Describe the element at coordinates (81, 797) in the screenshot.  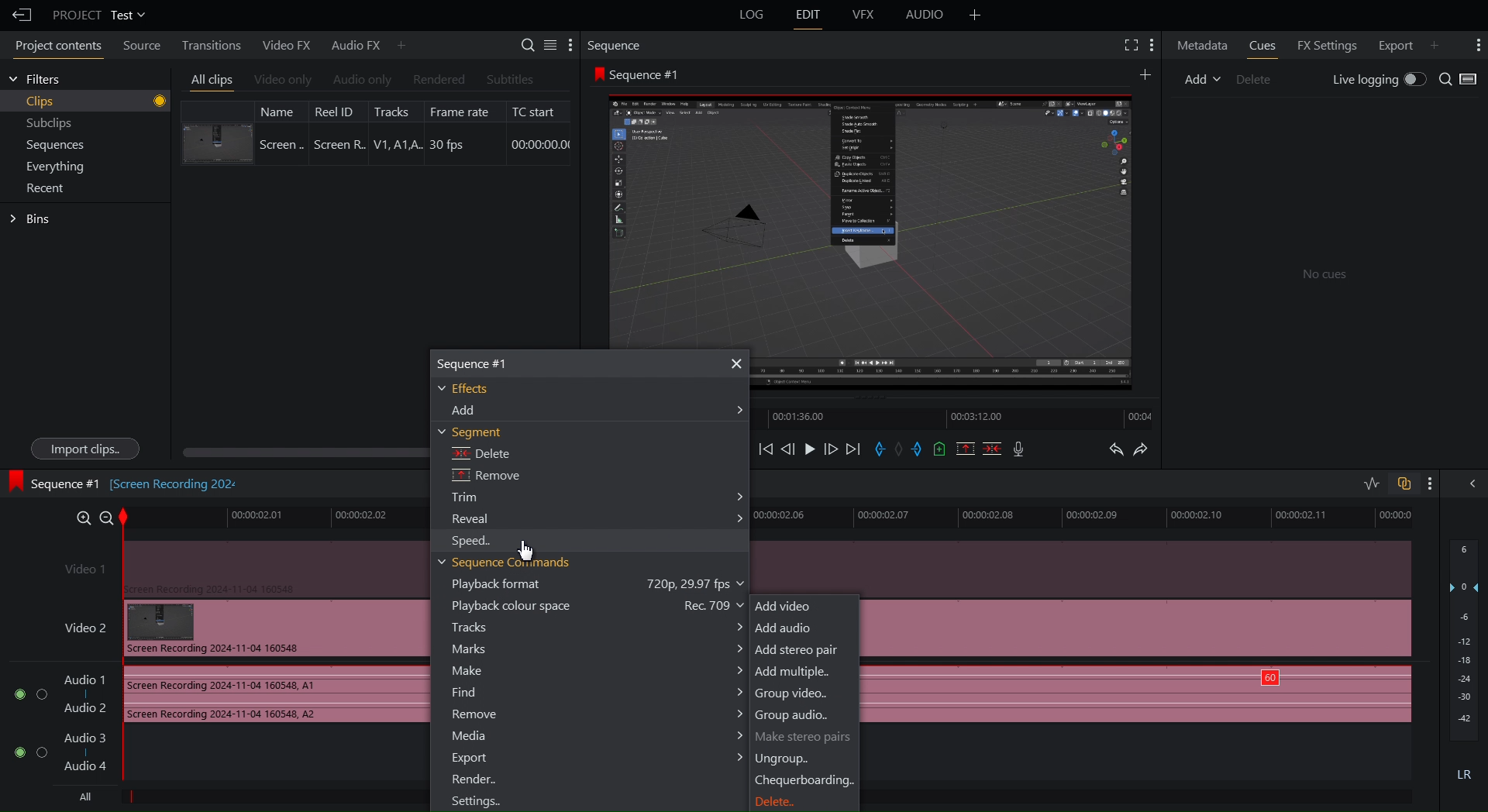
I see `All` at that location.